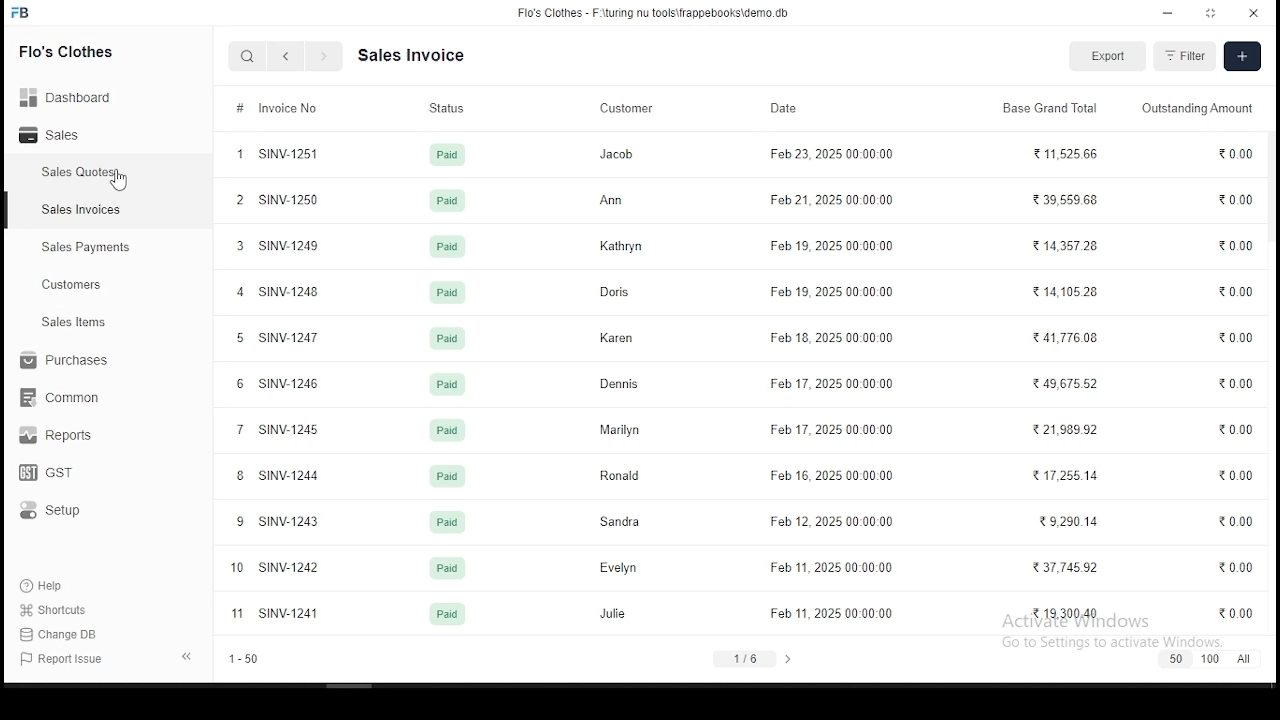 This screenshot has width=1280, height=720. I want to click on 0.00, so click(1233, 336).